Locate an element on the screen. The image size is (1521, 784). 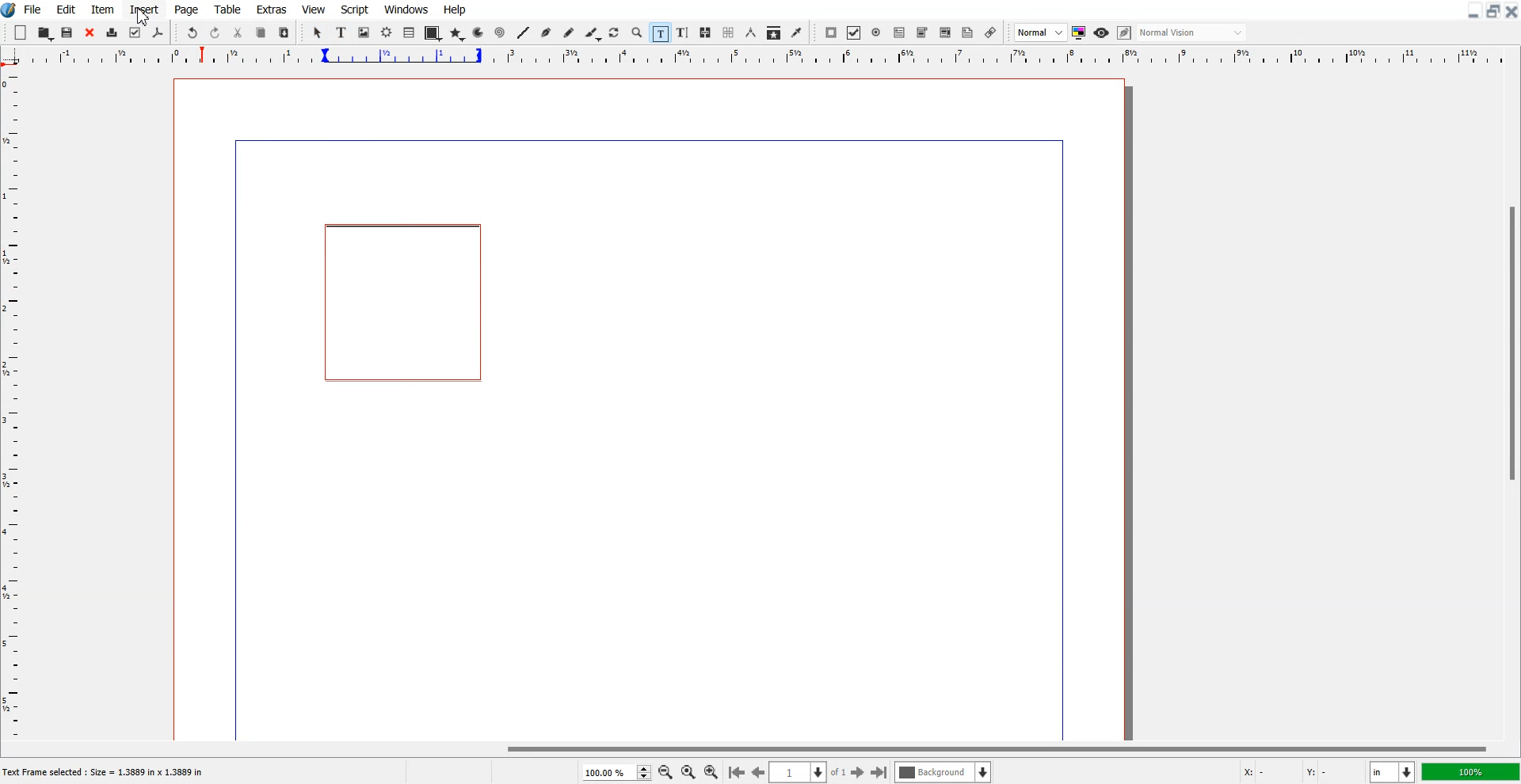
Polygon is located at coordinates (457, 33).